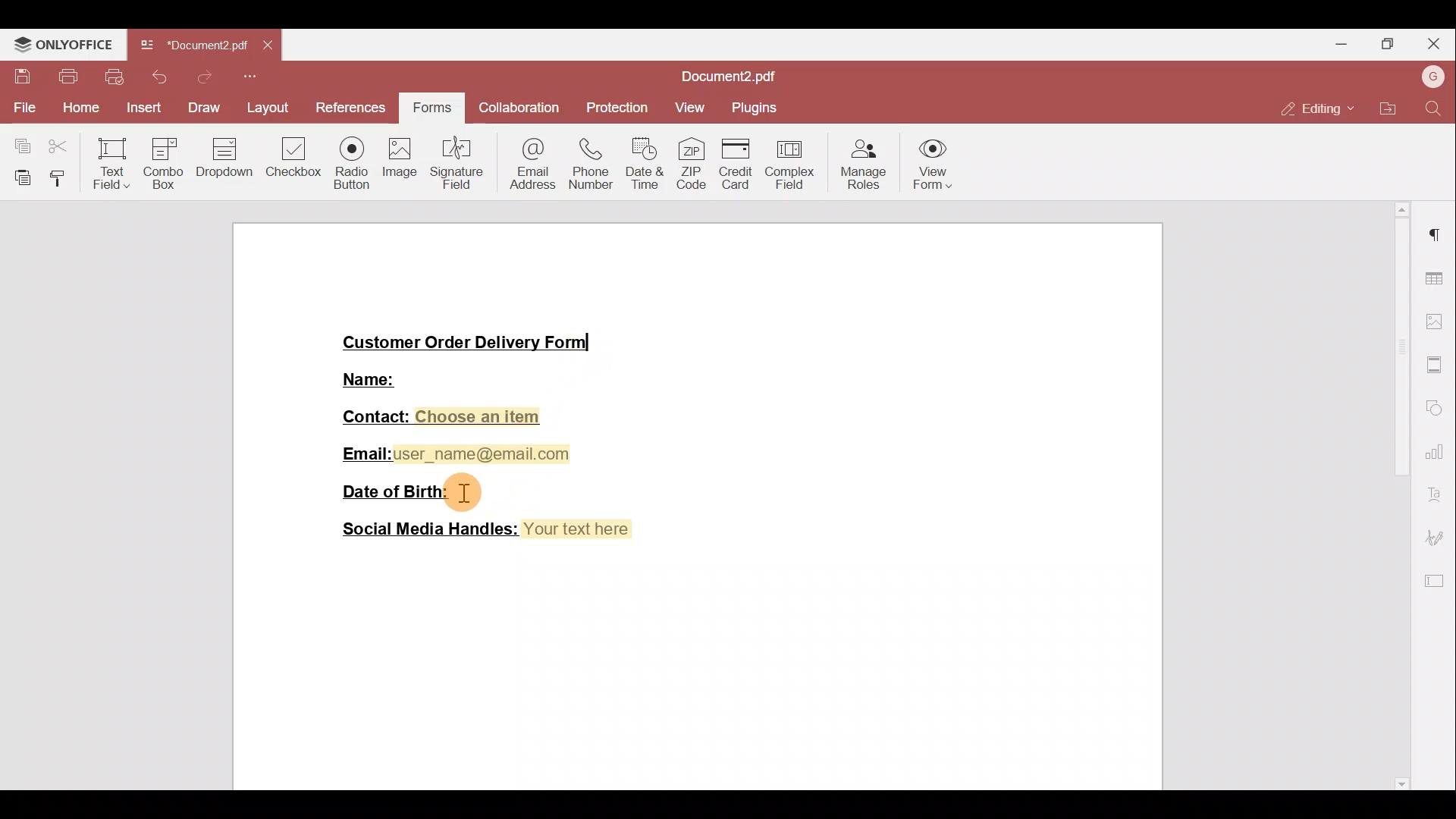 Image resolution: width=1456 pixels, height=819 pixels. What do you see at coordinates (400, 163) in the screenshot?
I see `Image` at bounding box center [400, 163].